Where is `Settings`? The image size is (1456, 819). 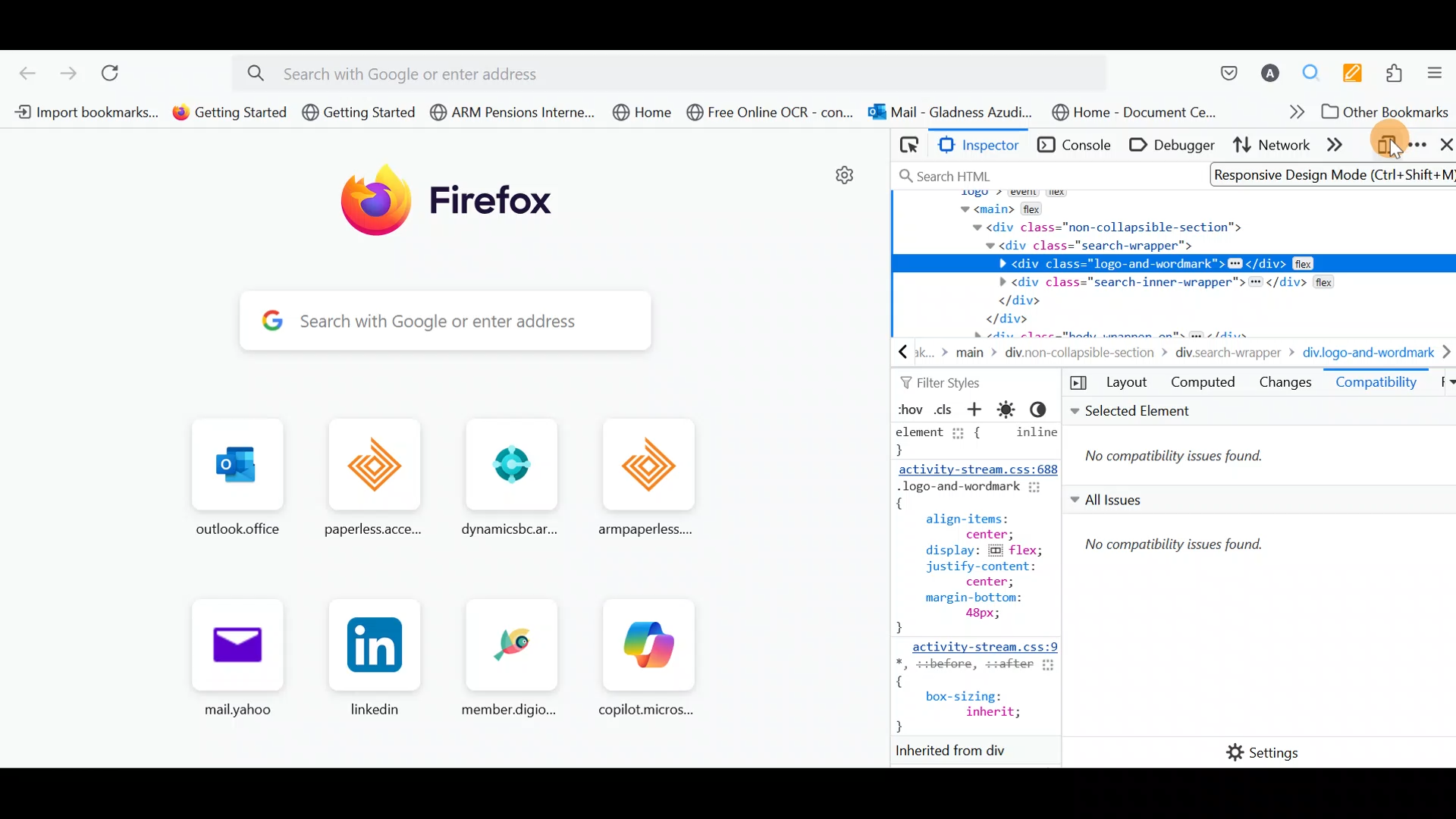 Settings is located at coordinates (1252, 753).